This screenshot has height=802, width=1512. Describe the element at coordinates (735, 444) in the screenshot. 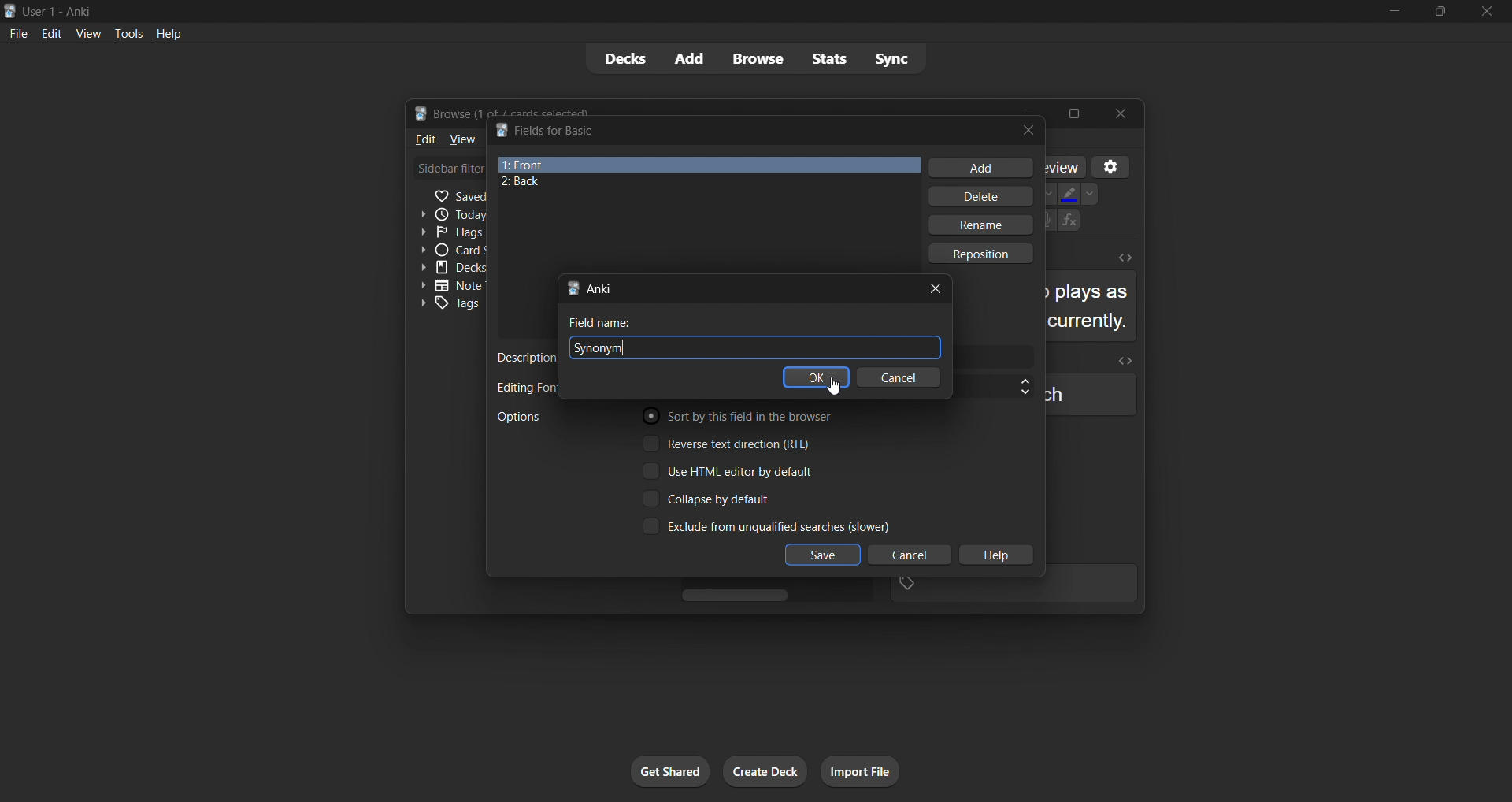

I see `Reverse text direction(RTL)` at that location.